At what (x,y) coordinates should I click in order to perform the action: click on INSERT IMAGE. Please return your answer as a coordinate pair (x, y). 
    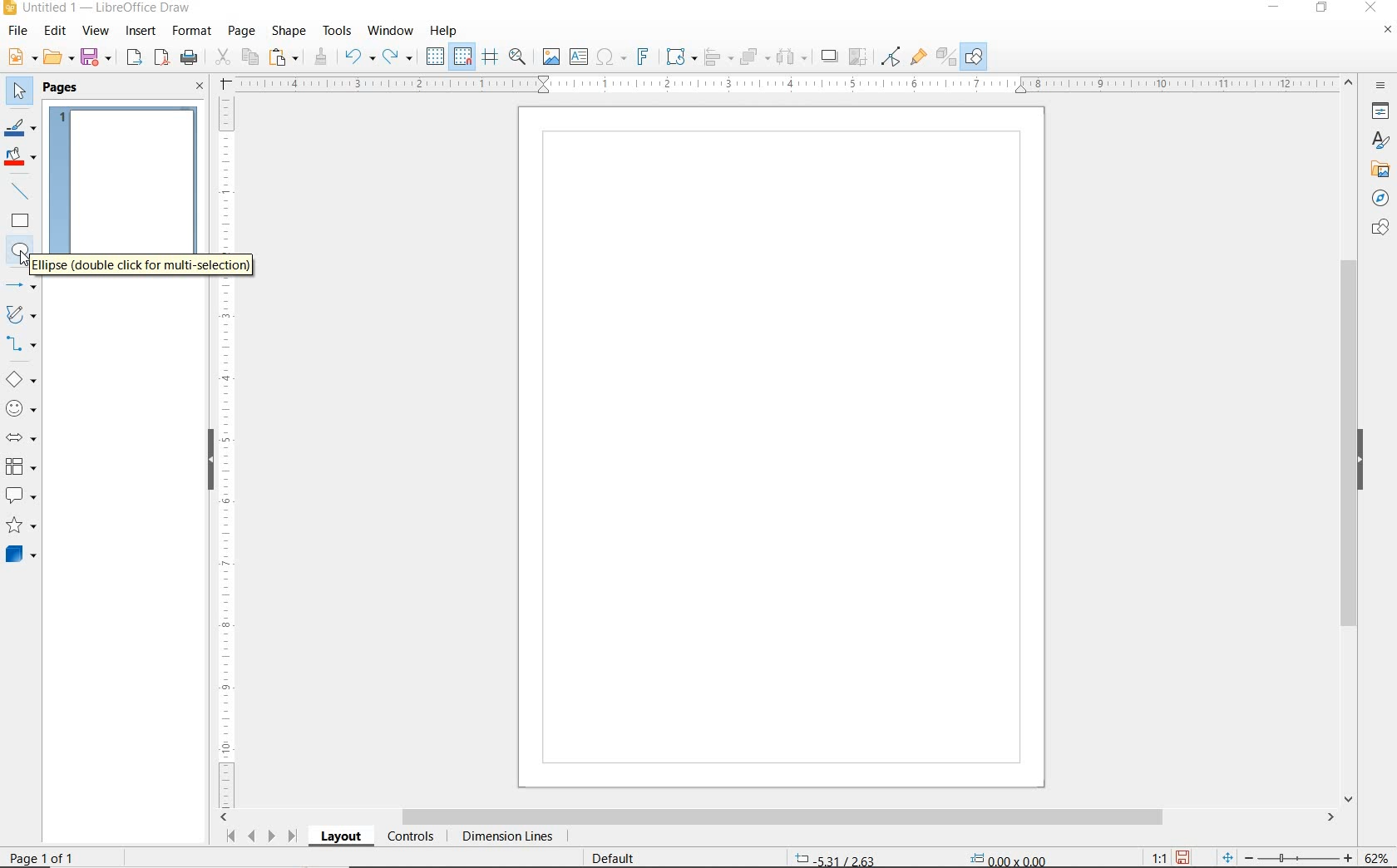
    Looking at the image, I should click on (551, 57).